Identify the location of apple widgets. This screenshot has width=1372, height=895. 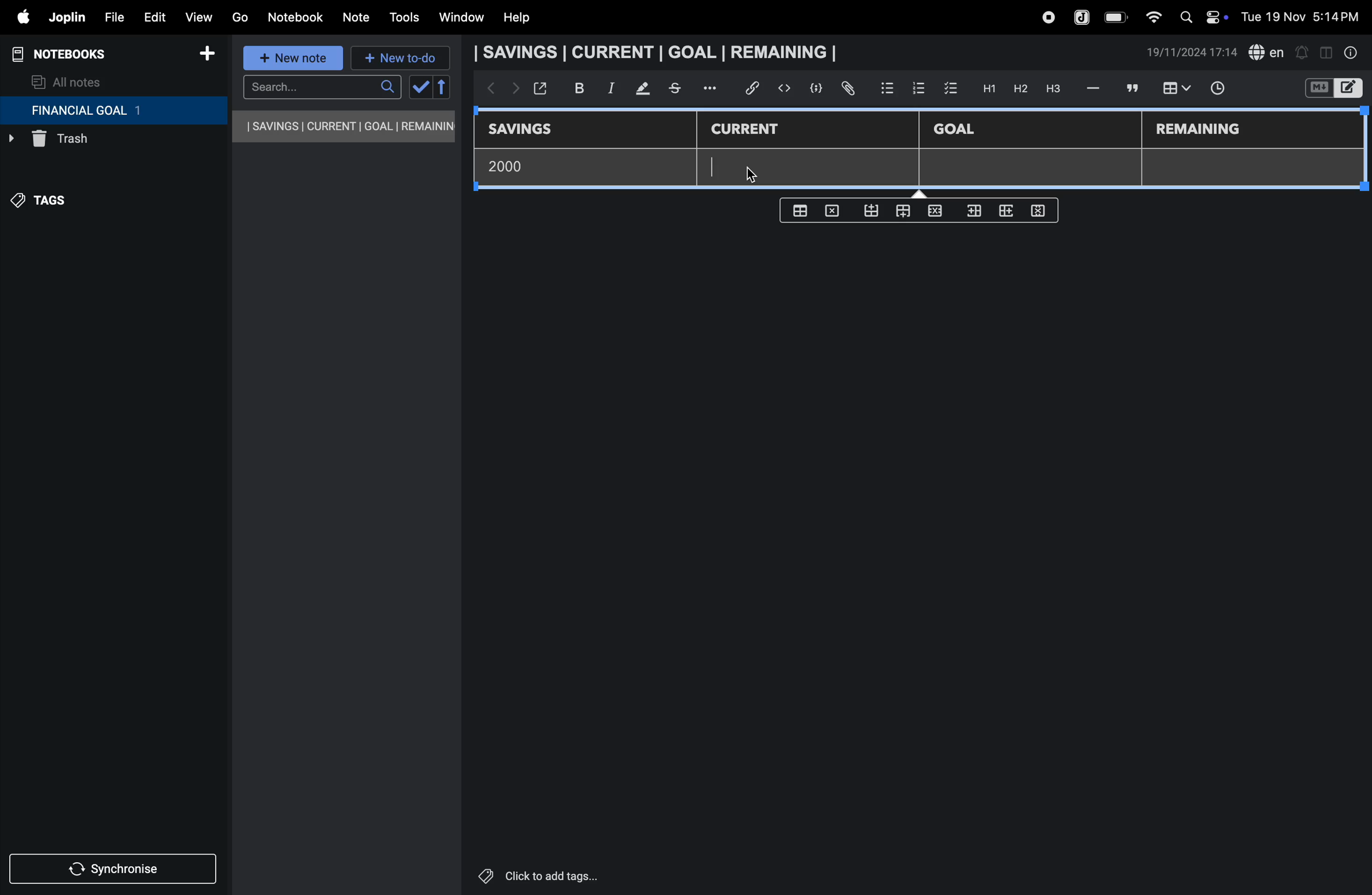
(1201, 16).